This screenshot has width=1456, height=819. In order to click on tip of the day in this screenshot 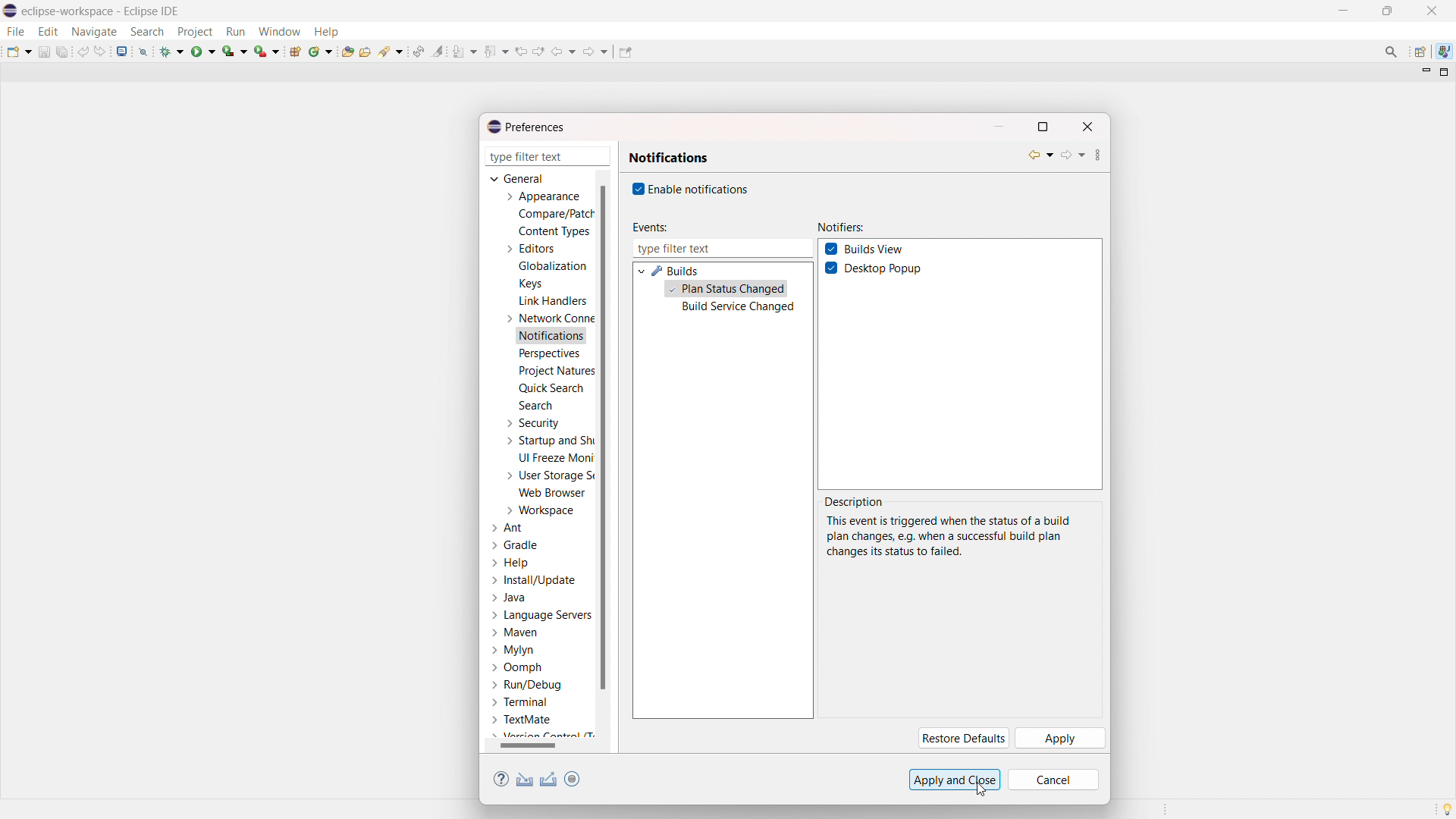, I will do `click(1447, 808)`.